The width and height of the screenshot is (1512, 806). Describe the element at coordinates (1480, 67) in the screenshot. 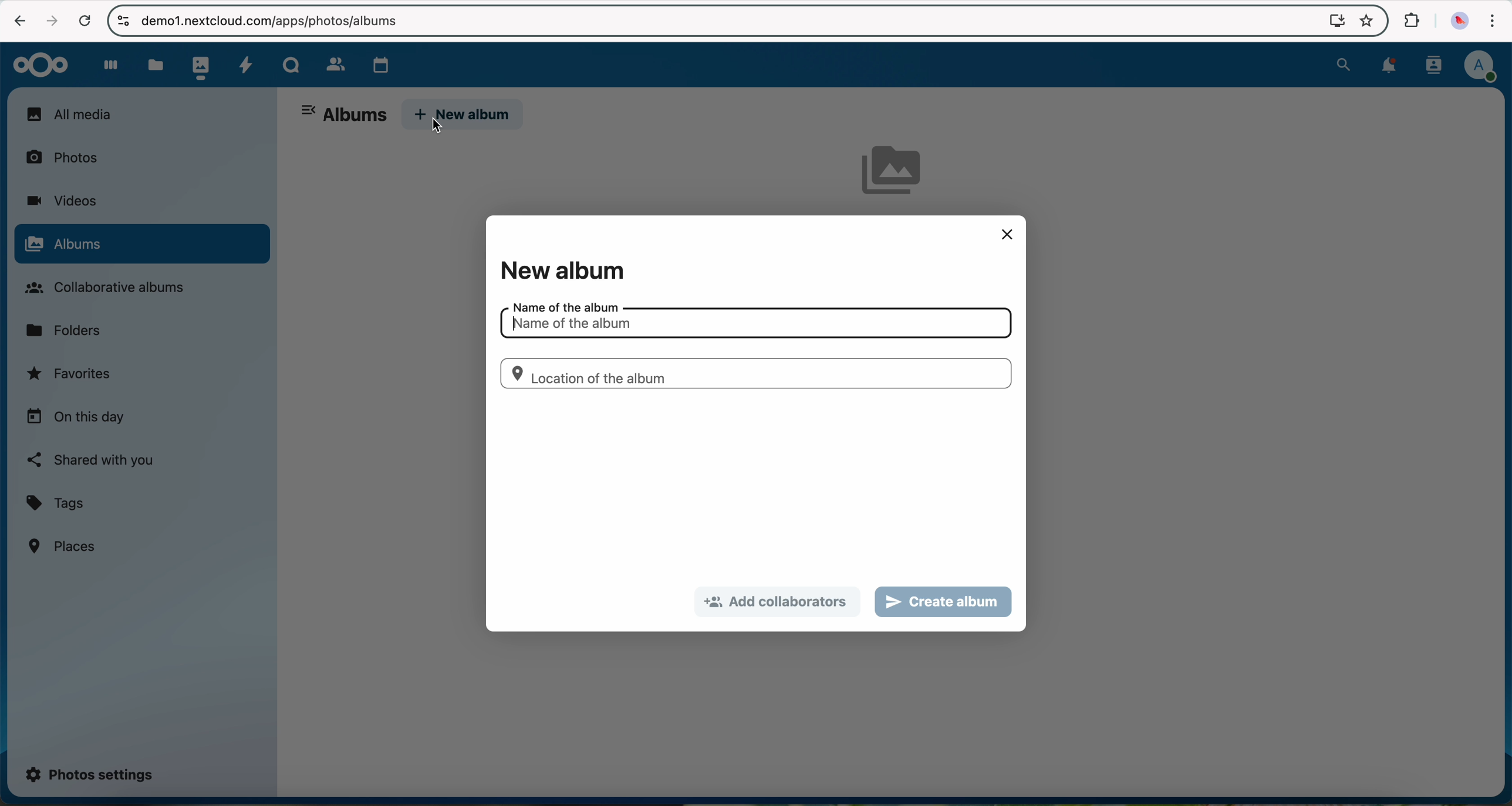

I see `profile` at that location.